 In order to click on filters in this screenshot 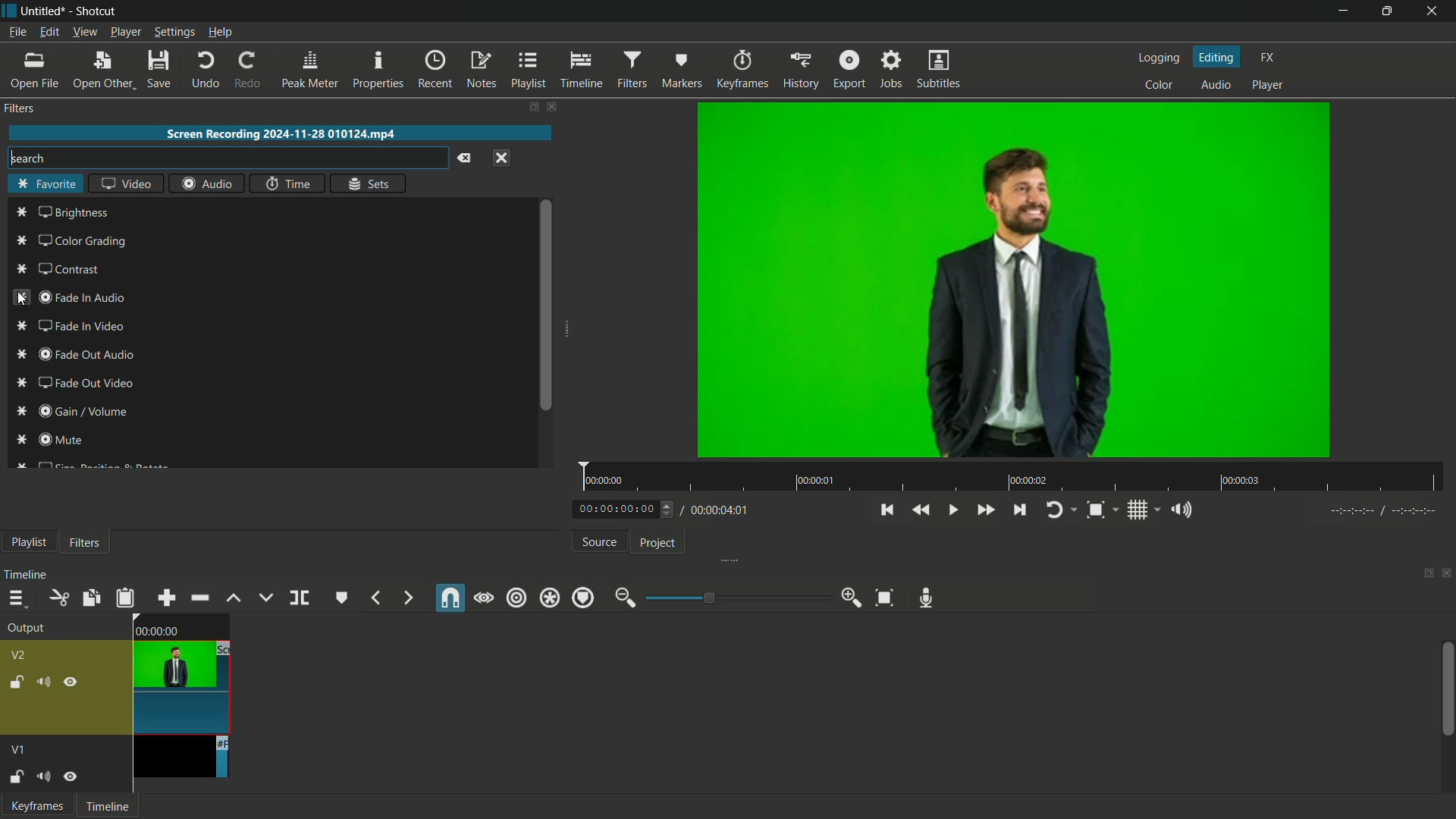, I will do `click(631, 71)`.